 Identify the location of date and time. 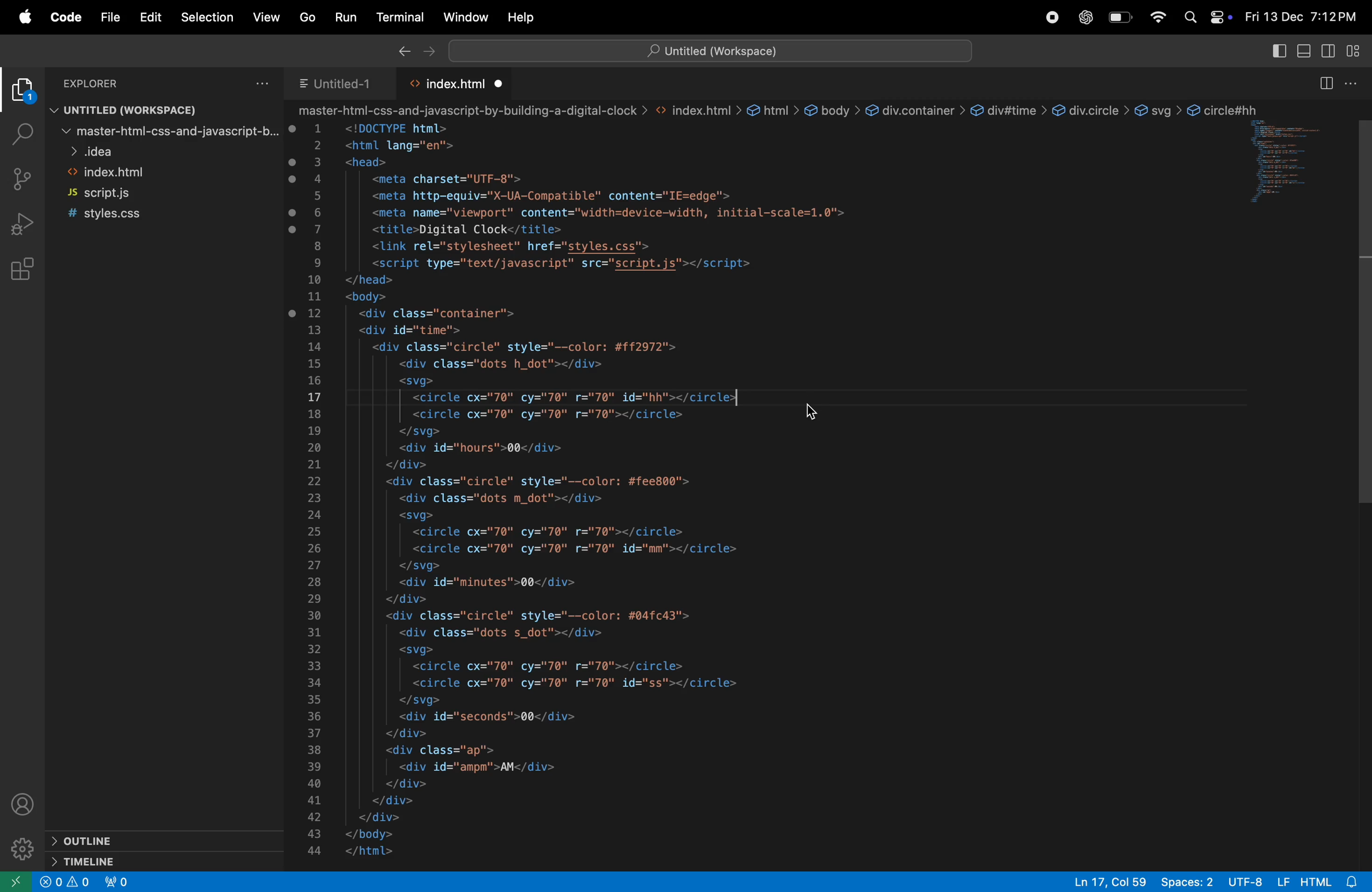
(1299, 18).